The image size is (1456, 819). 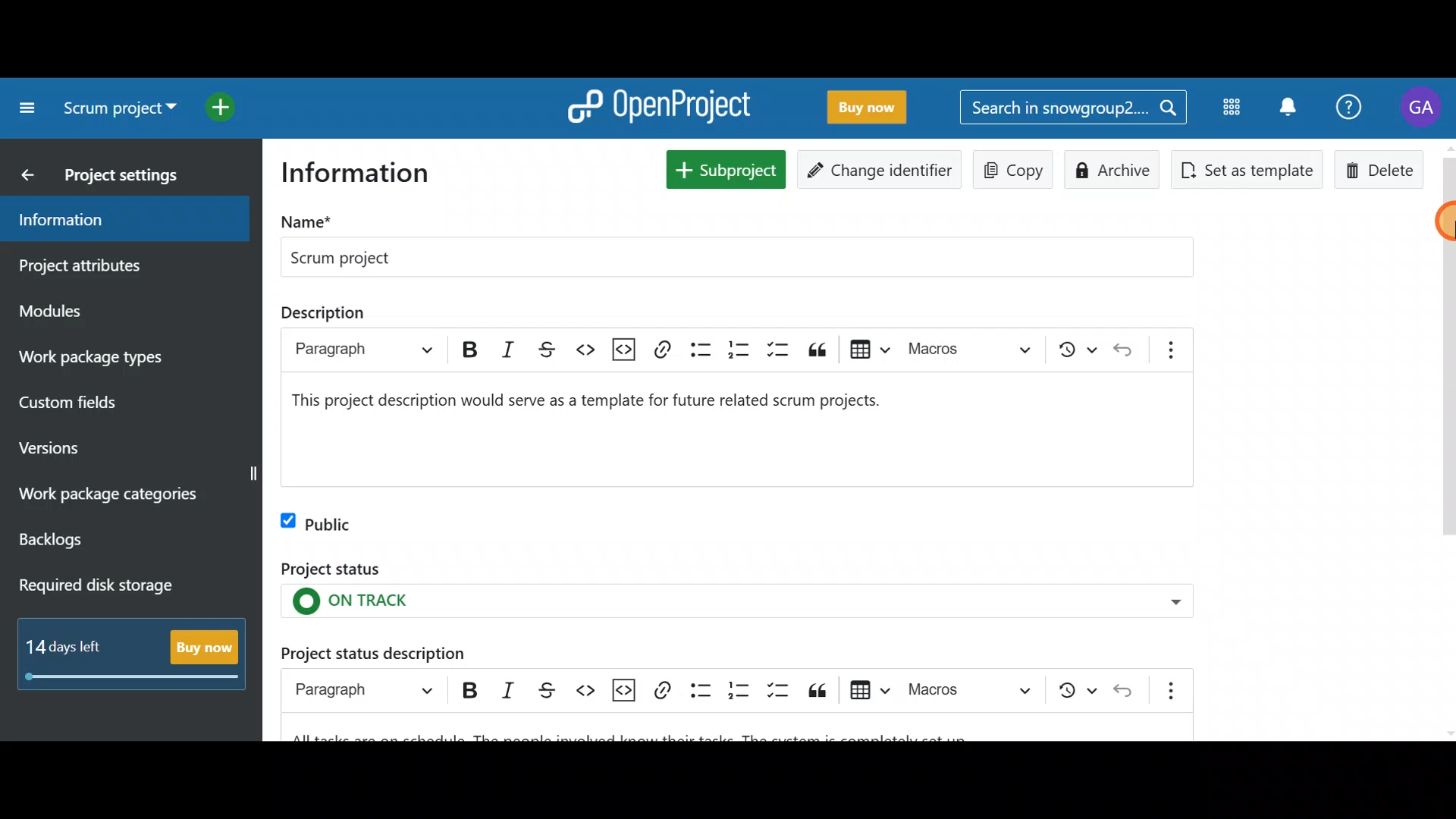 I want to click on project description, so click(x=602, y=407).